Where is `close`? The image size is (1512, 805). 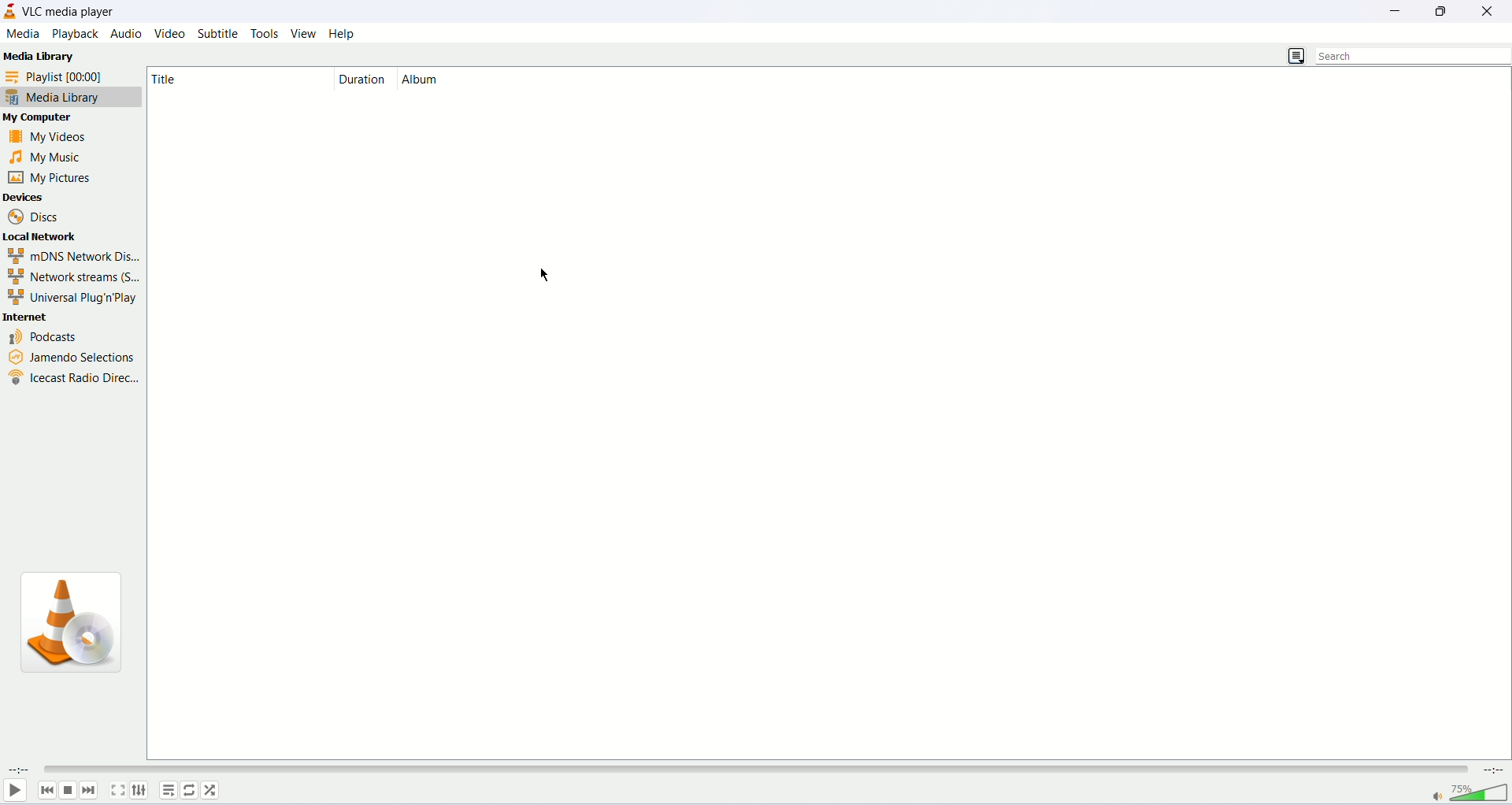 close is located at coordinates (1492, 12).